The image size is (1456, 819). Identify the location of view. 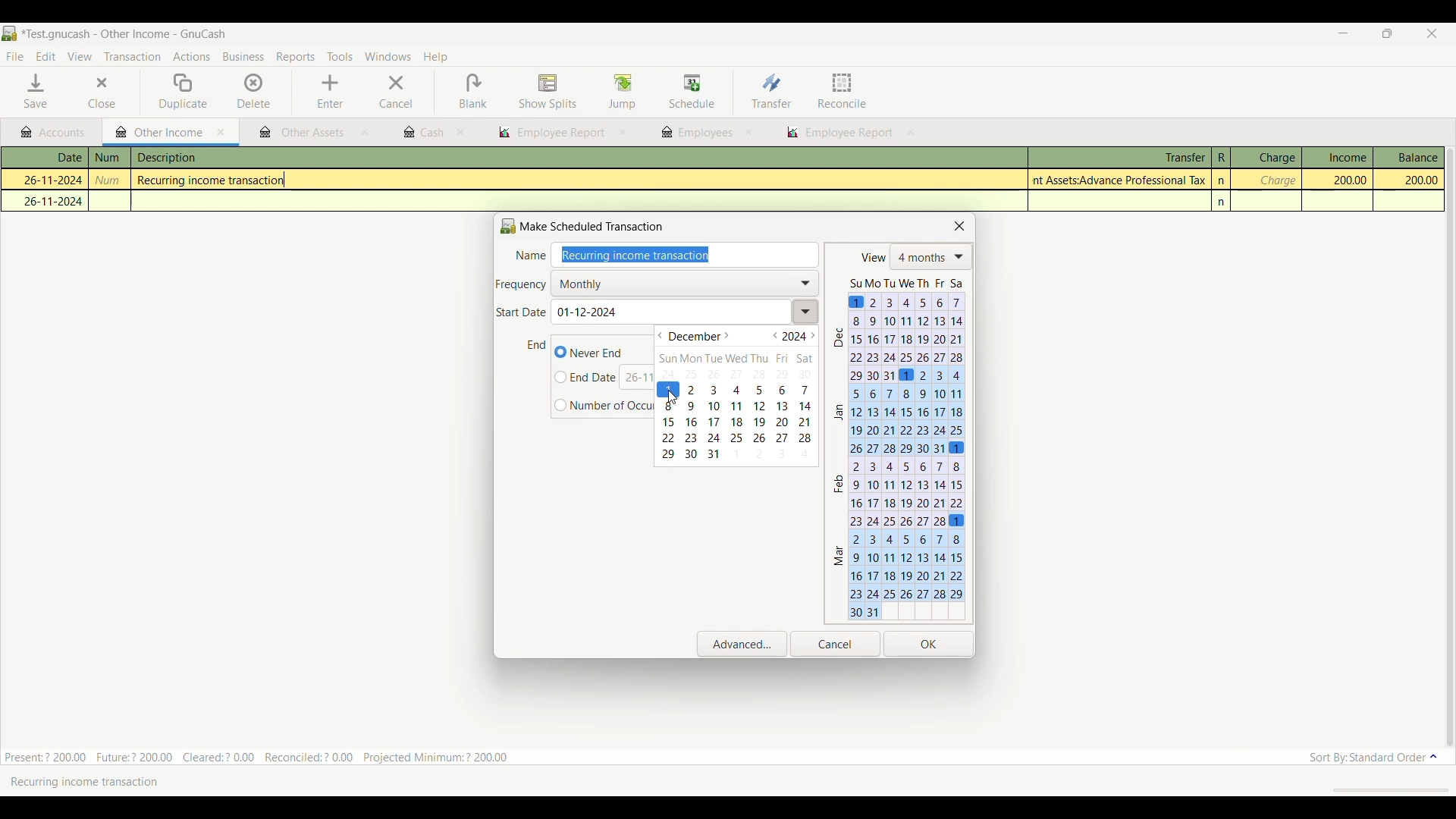
(871, 258).